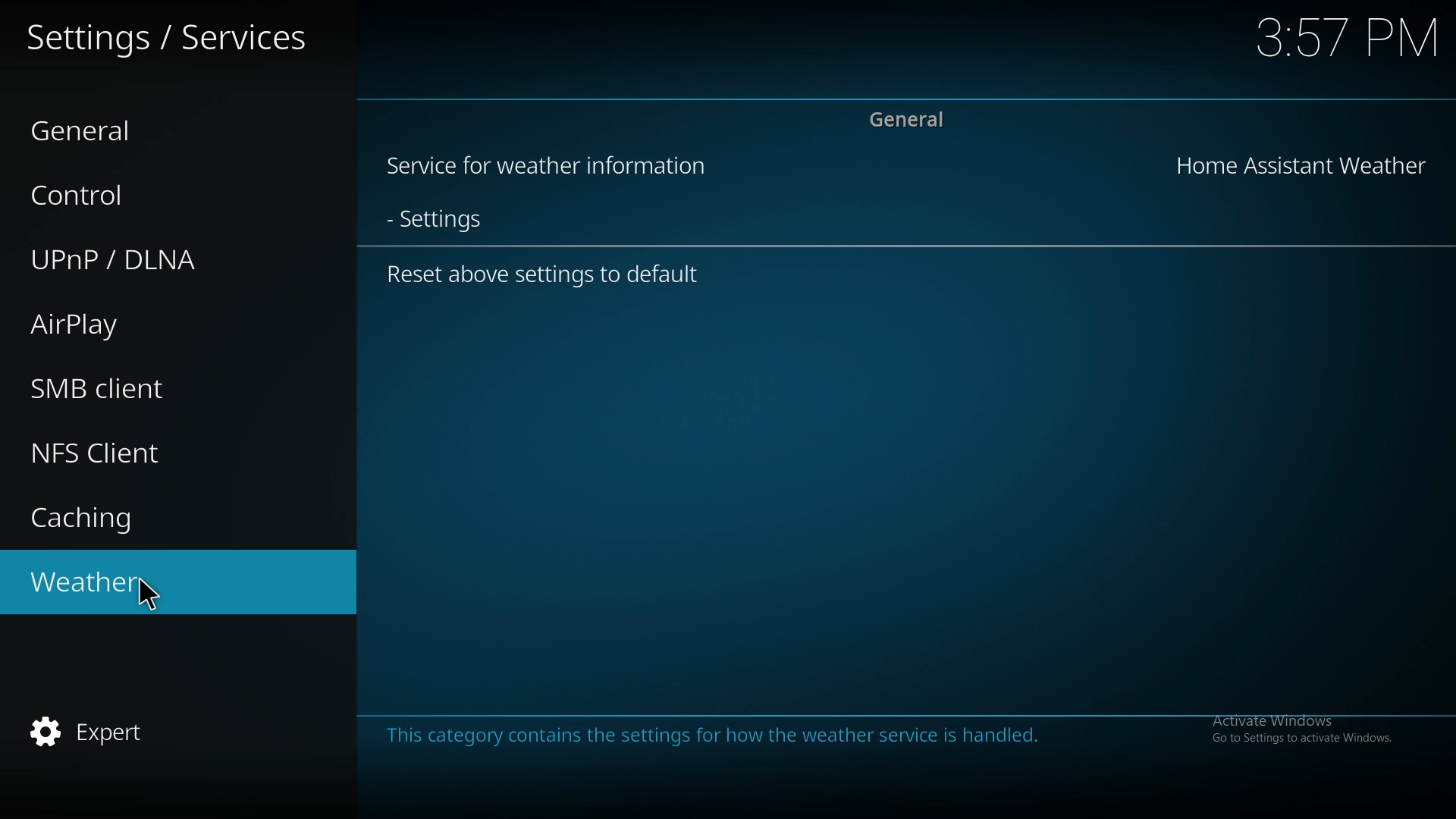 Image resolution: width=1456 pixels, height=819 pixels. What do you see at coordinates (444, 221) in the screenshot?
I see `settings` at bounding box center [444, 221].